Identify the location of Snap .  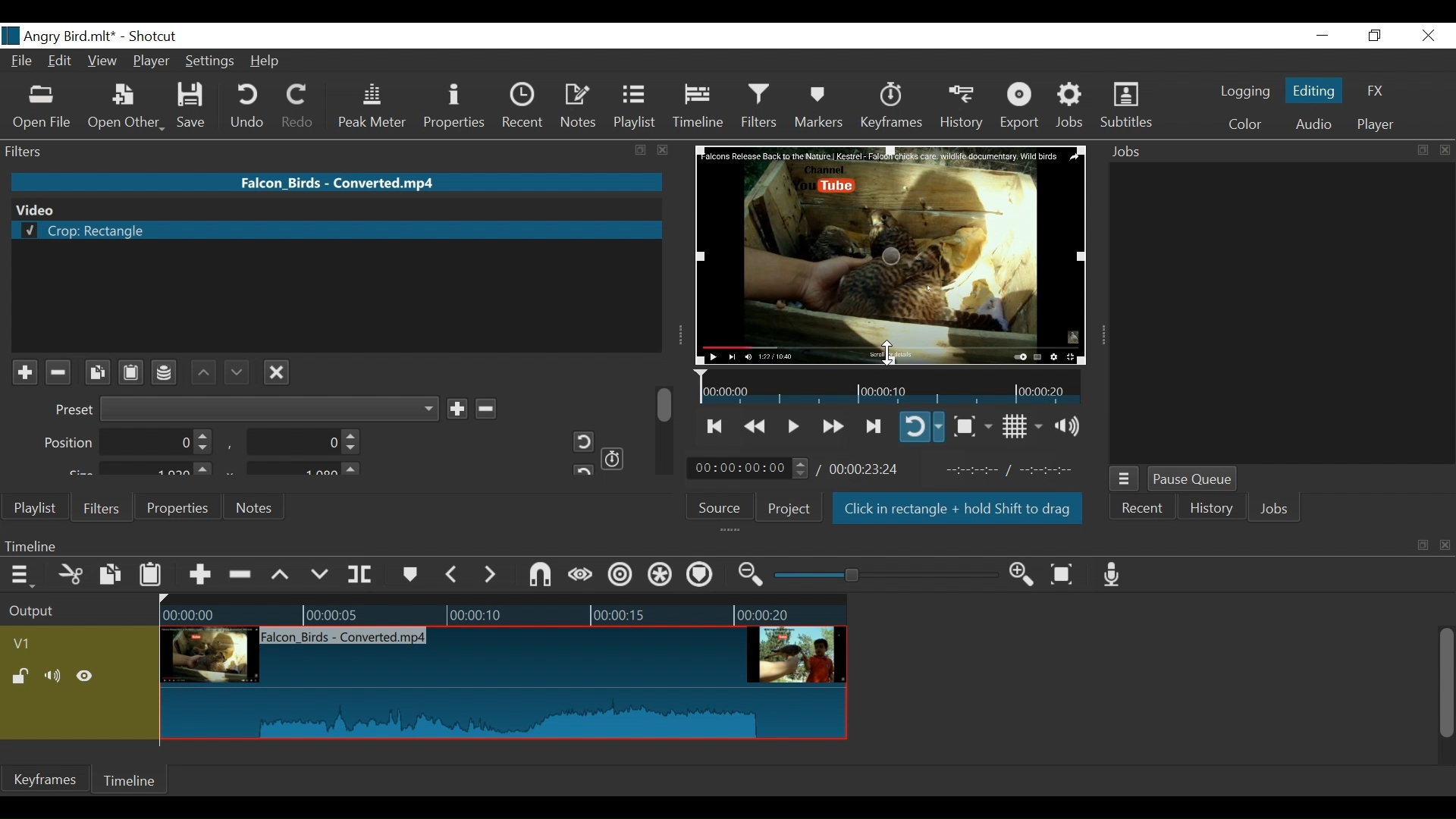
(540, 576).